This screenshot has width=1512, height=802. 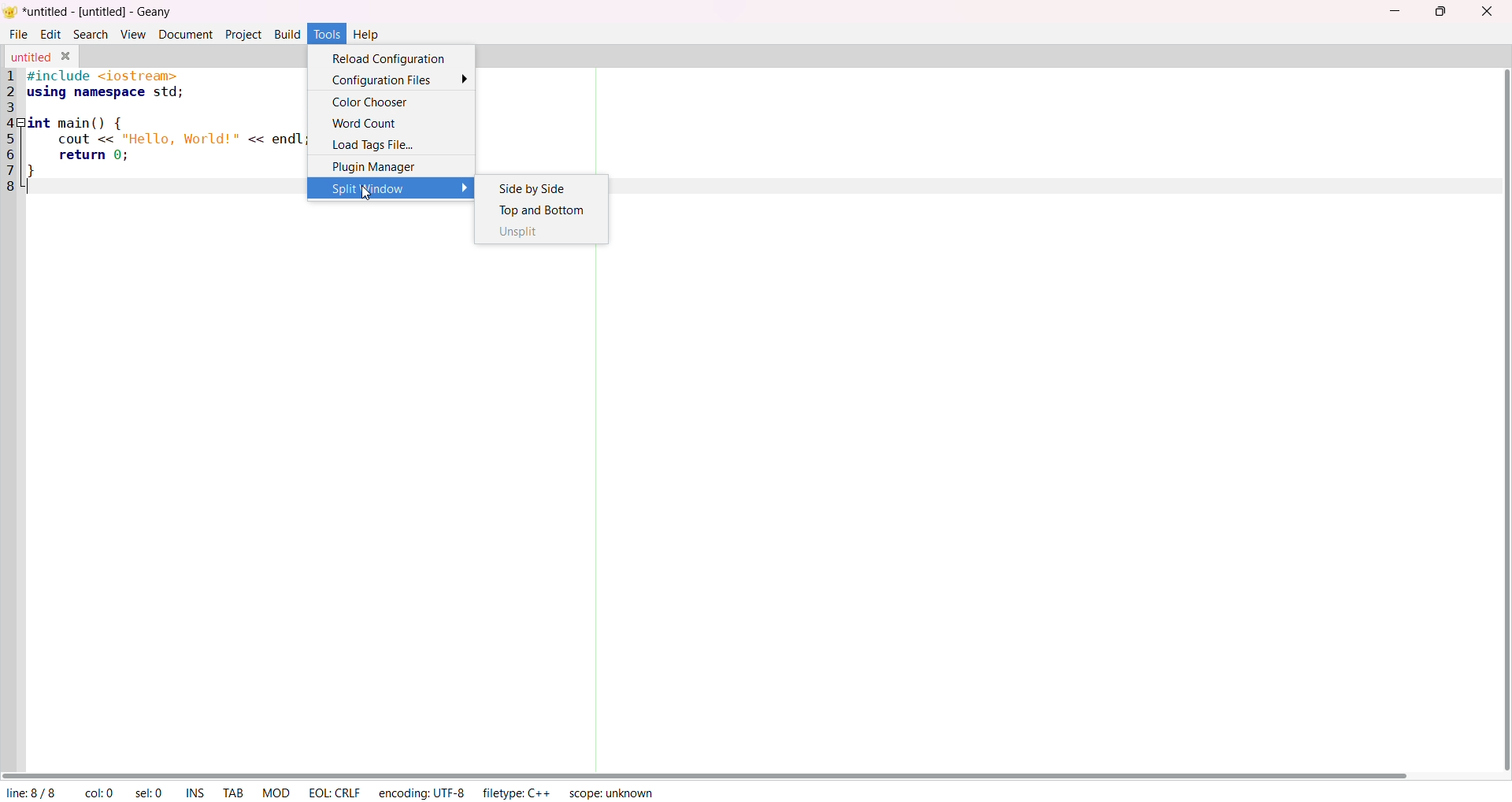 I want to click on col: 0, so click(x=95, y=792).